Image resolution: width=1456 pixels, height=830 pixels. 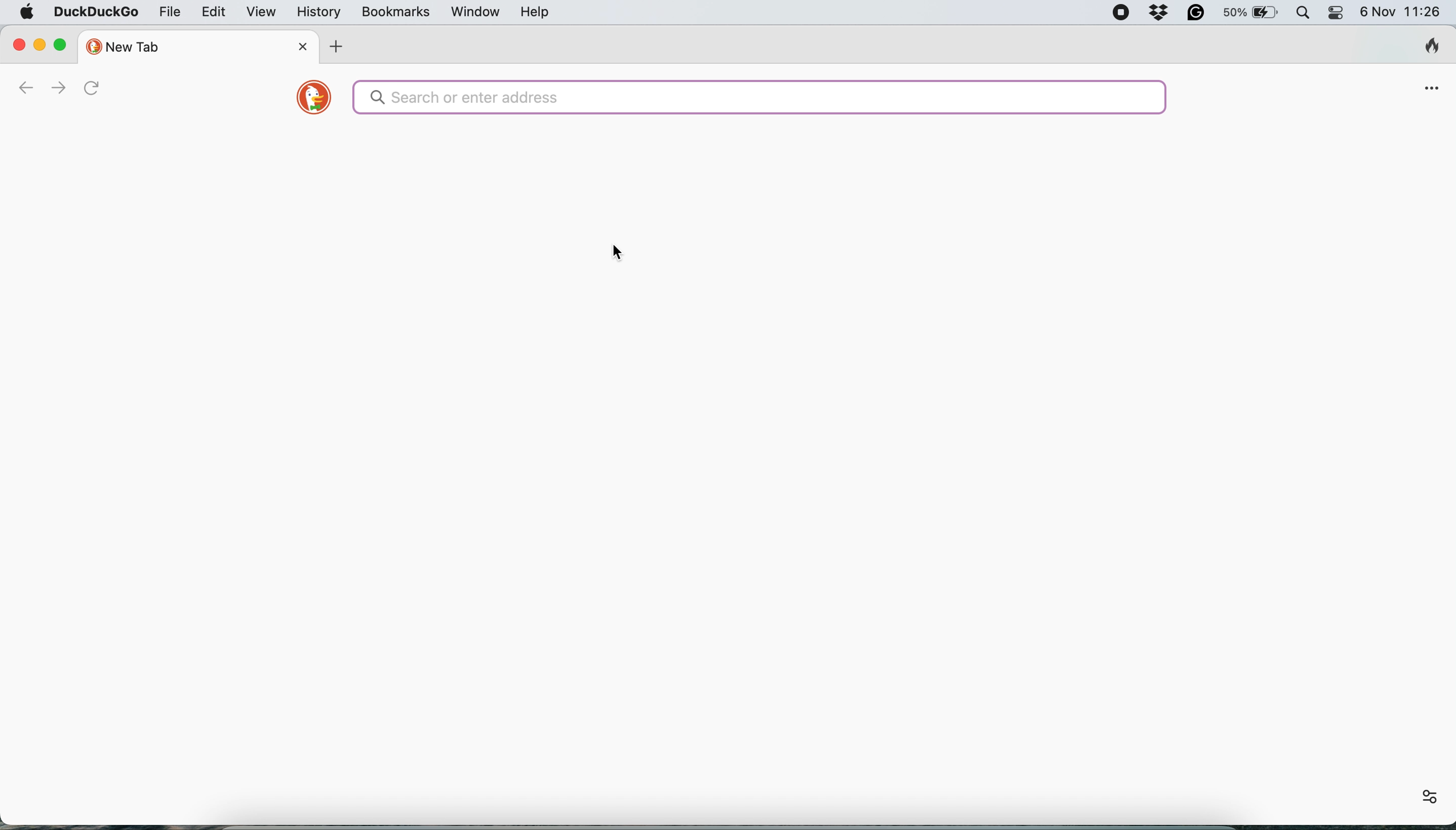 I want to click on control center, so click(x=1336, y=15).